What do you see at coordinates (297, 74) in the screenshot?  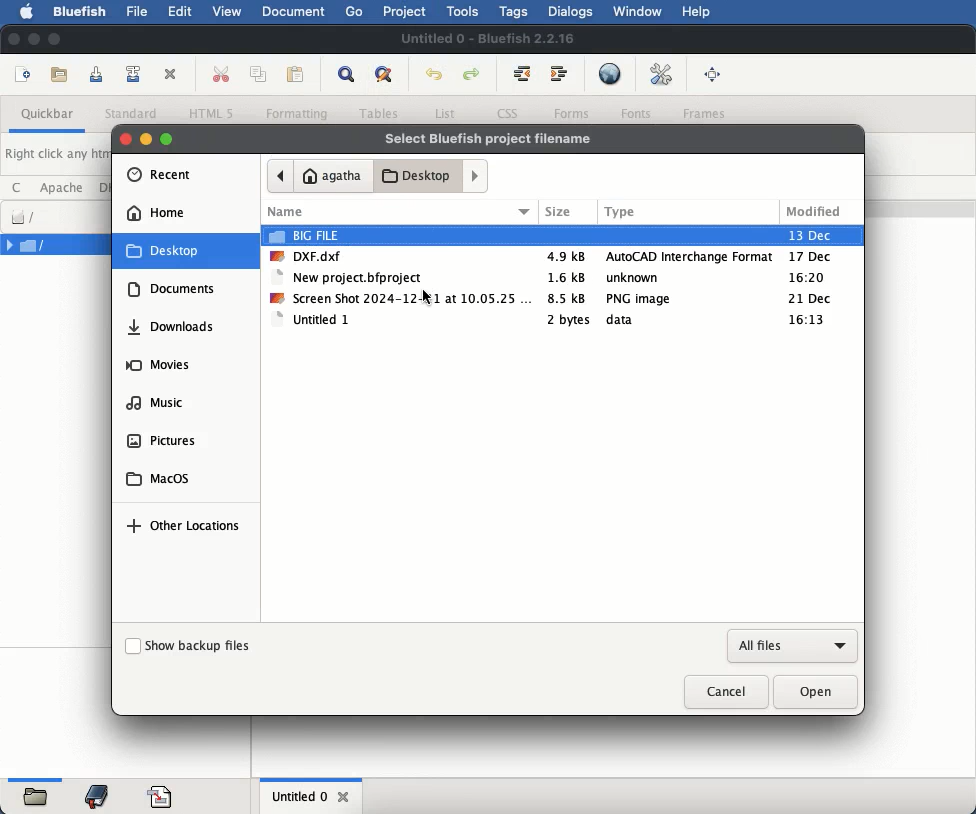 I see `paste` at bounding box center [297, 74].